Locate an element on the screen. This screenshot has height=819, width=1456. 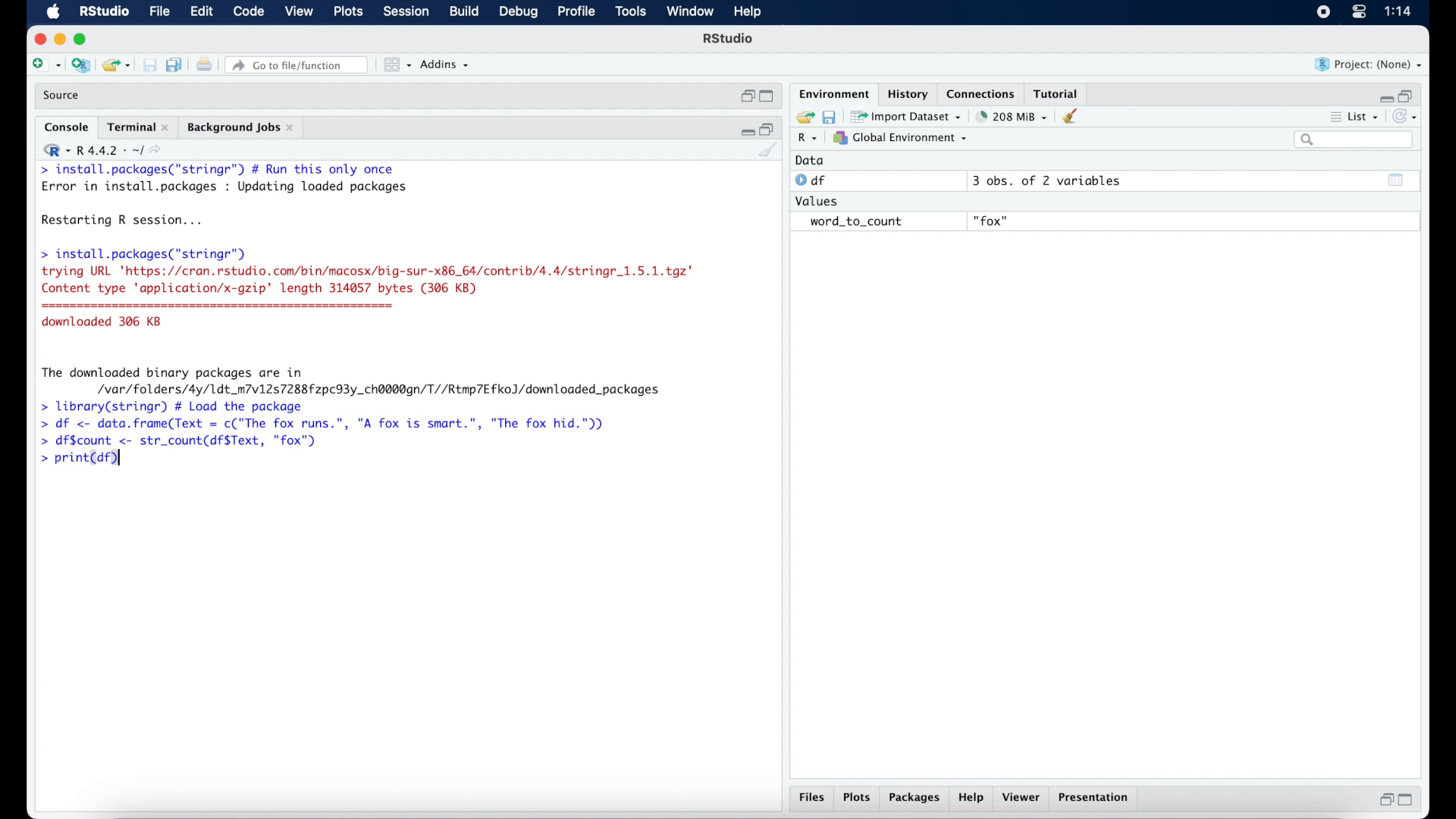
history is located at coordinates (906, 94).